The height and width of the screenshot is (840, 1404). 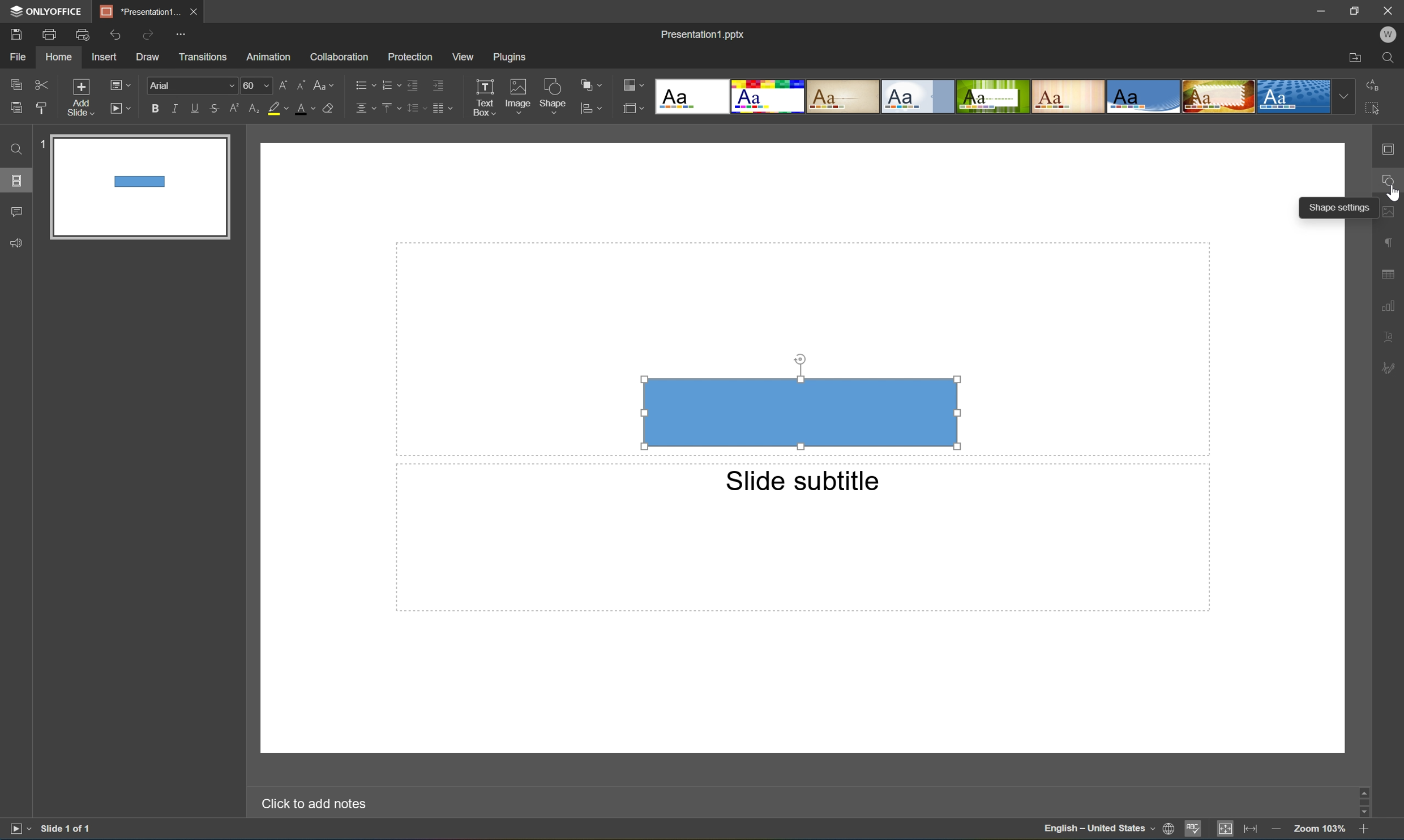 What do you see at coordinates (1251, 830) in the screenshot?
I see `Fit to width` at bounding box center [1251, 830].